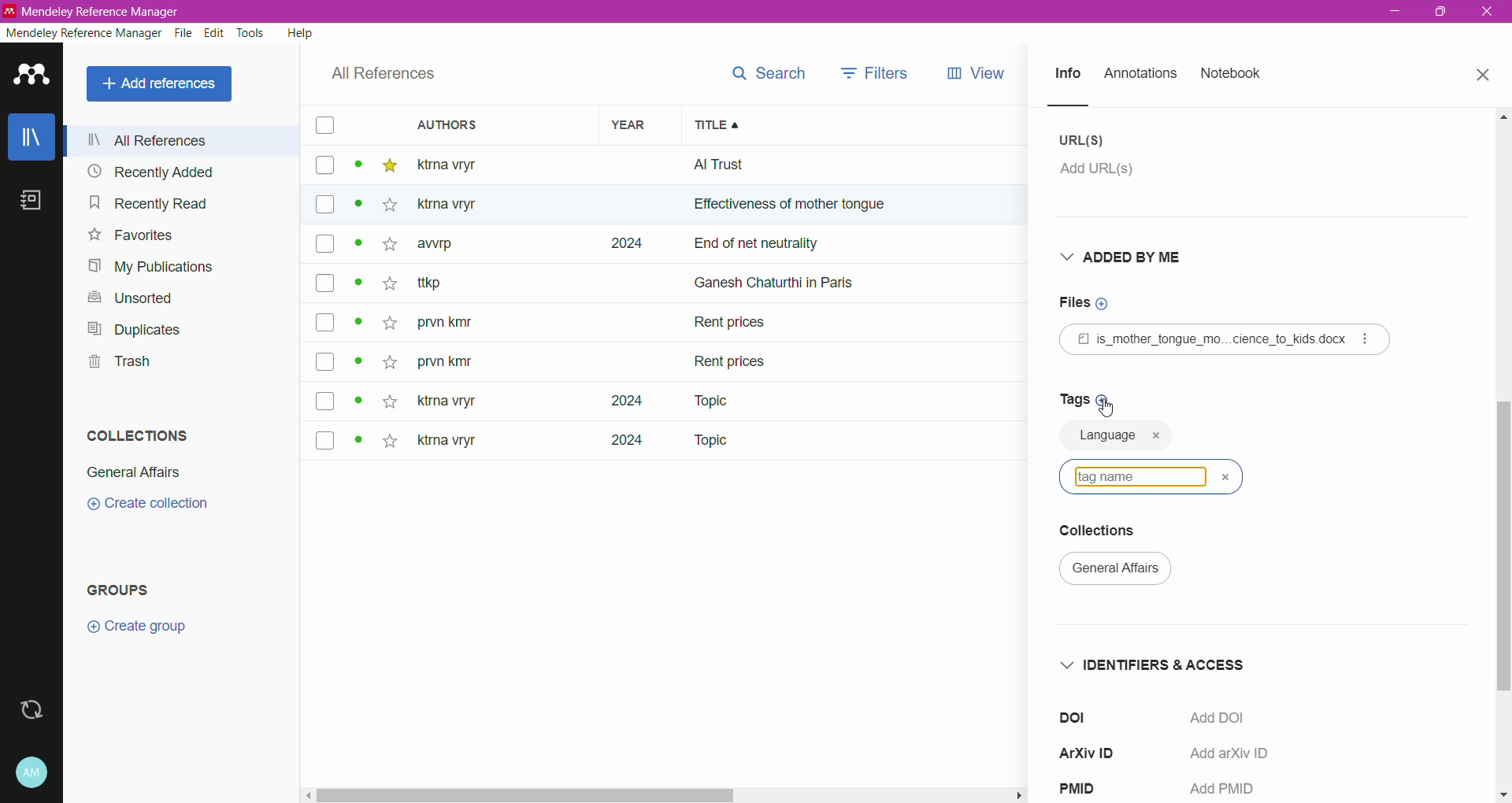 The image size is (1512, 803). What do you see at coordinates (386, 208) in the screenshot?
I see `star` at bounding box center [386, 208].